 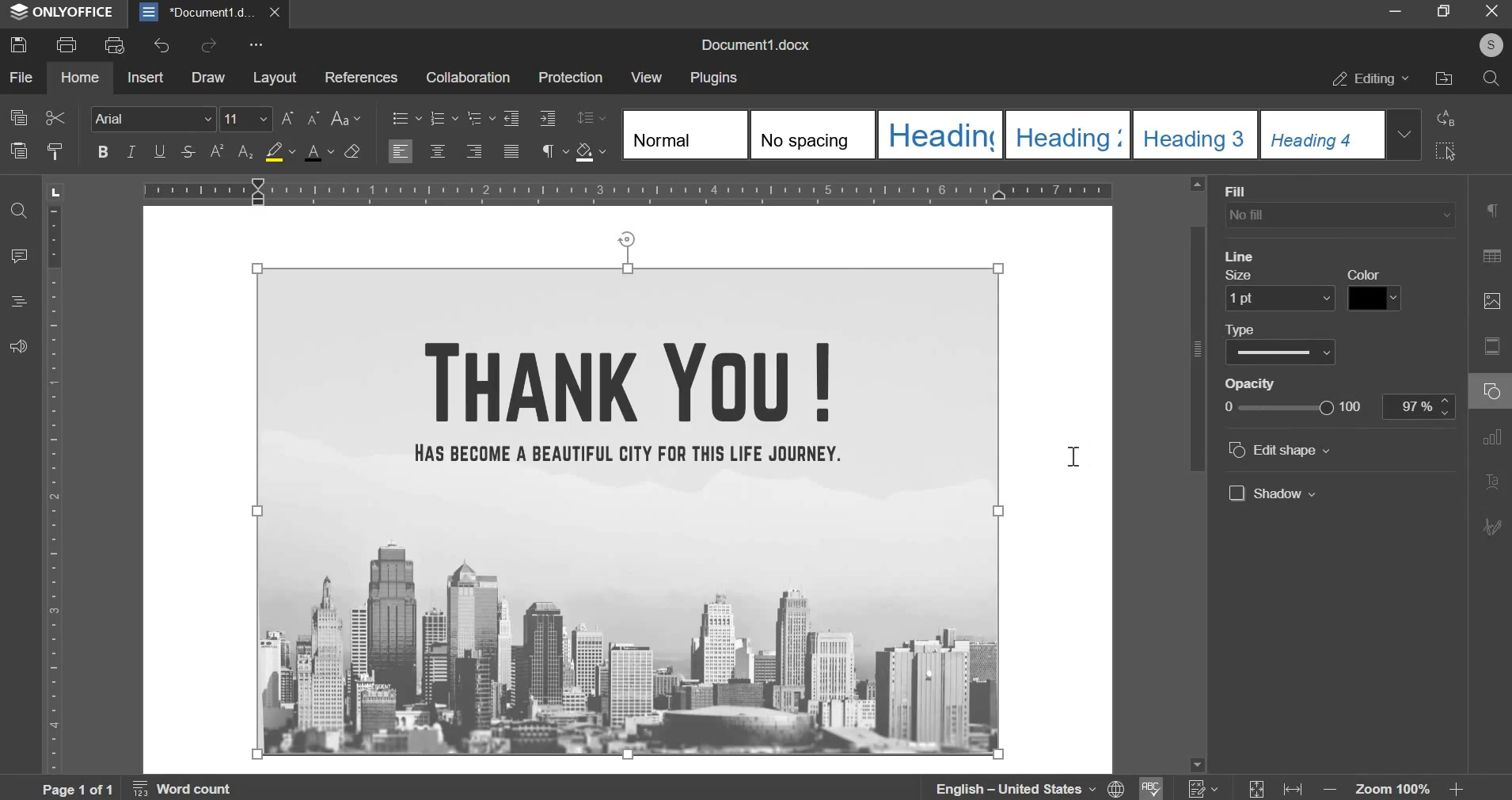 What do you see at coordinates (207, 44) in the screenshot?
I see `redo` at bounding box center [207, 44].